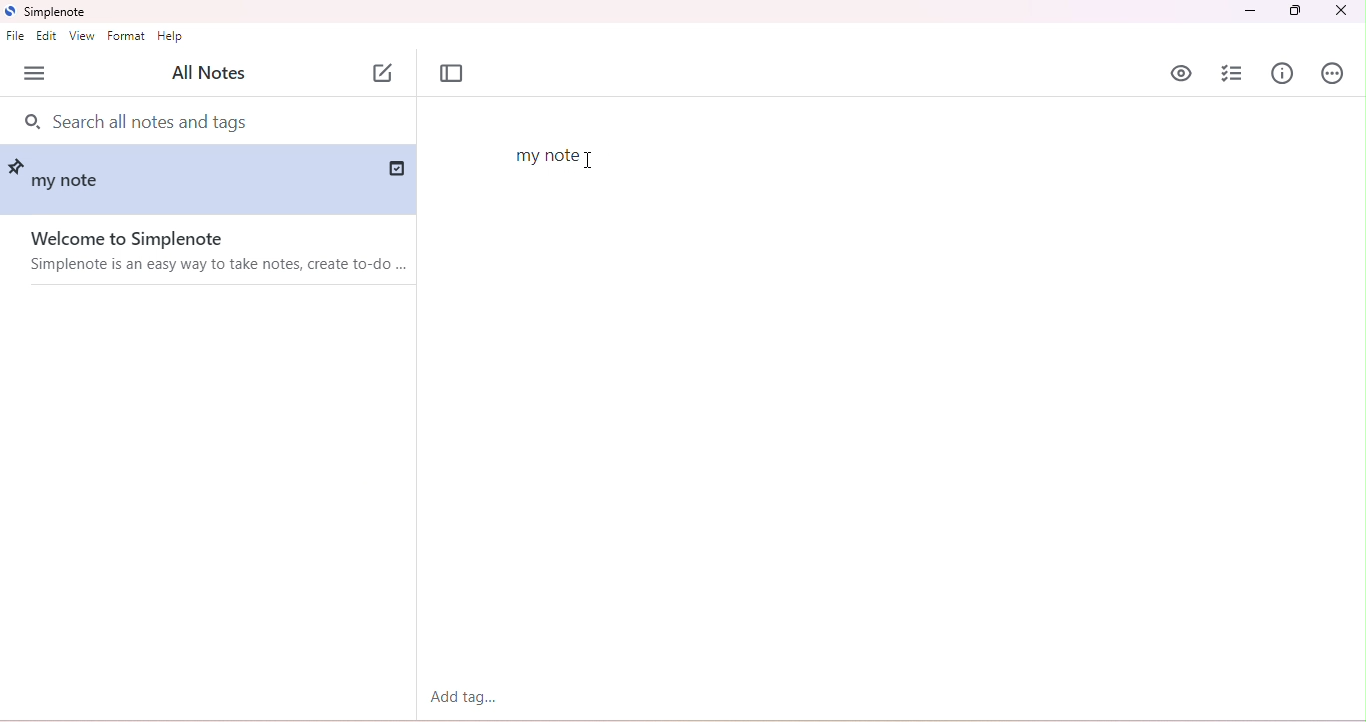 The height and width of the screenshot is (722, 1366). I want to click on file, so click(16, 37).